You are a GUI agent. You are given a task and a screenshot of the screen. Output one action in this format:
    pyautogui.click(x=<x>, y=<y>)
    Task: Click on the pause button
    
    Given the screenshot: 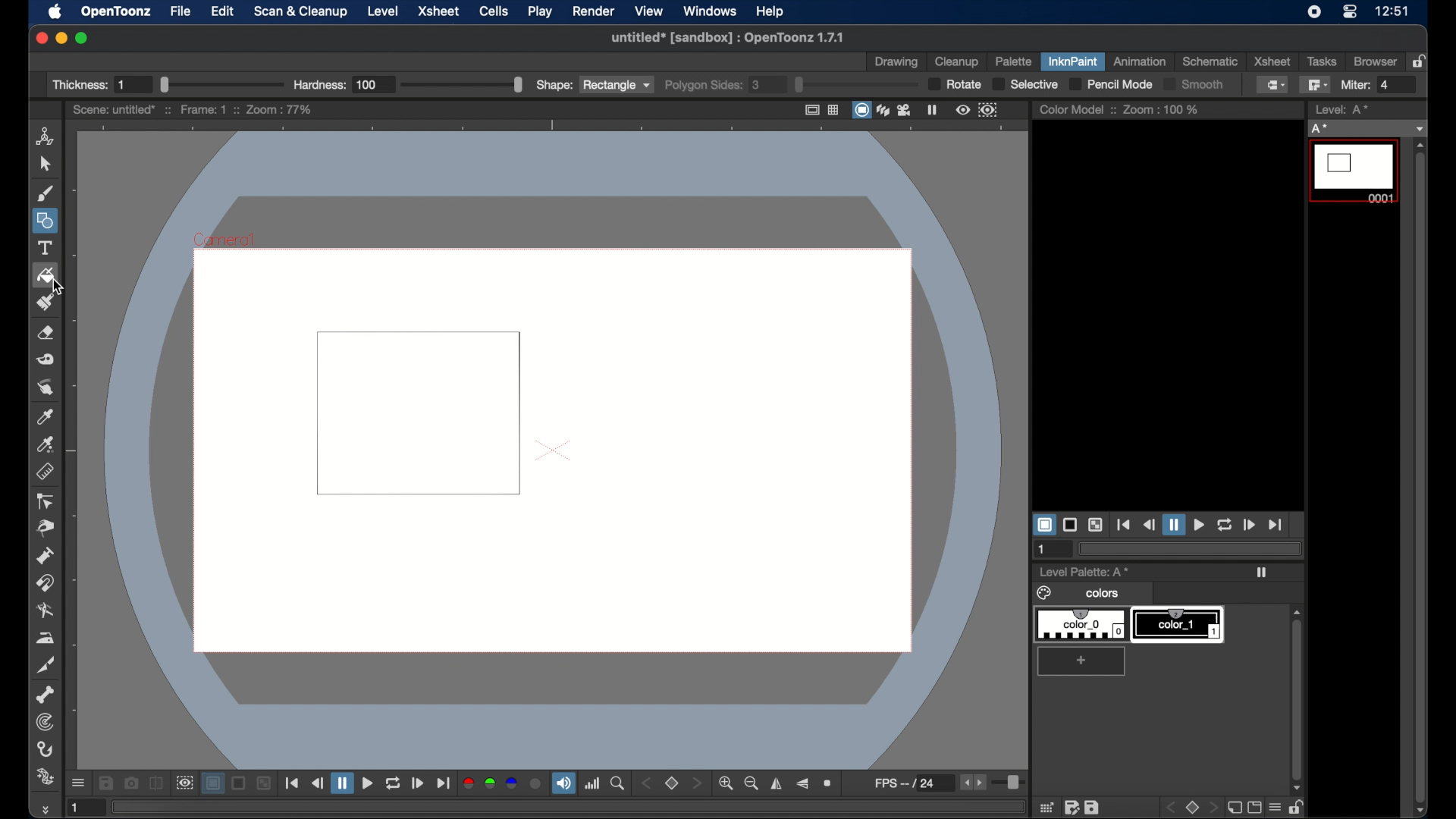 What is the action you would take?
    pyautogui.click(x=342, y=783)
    